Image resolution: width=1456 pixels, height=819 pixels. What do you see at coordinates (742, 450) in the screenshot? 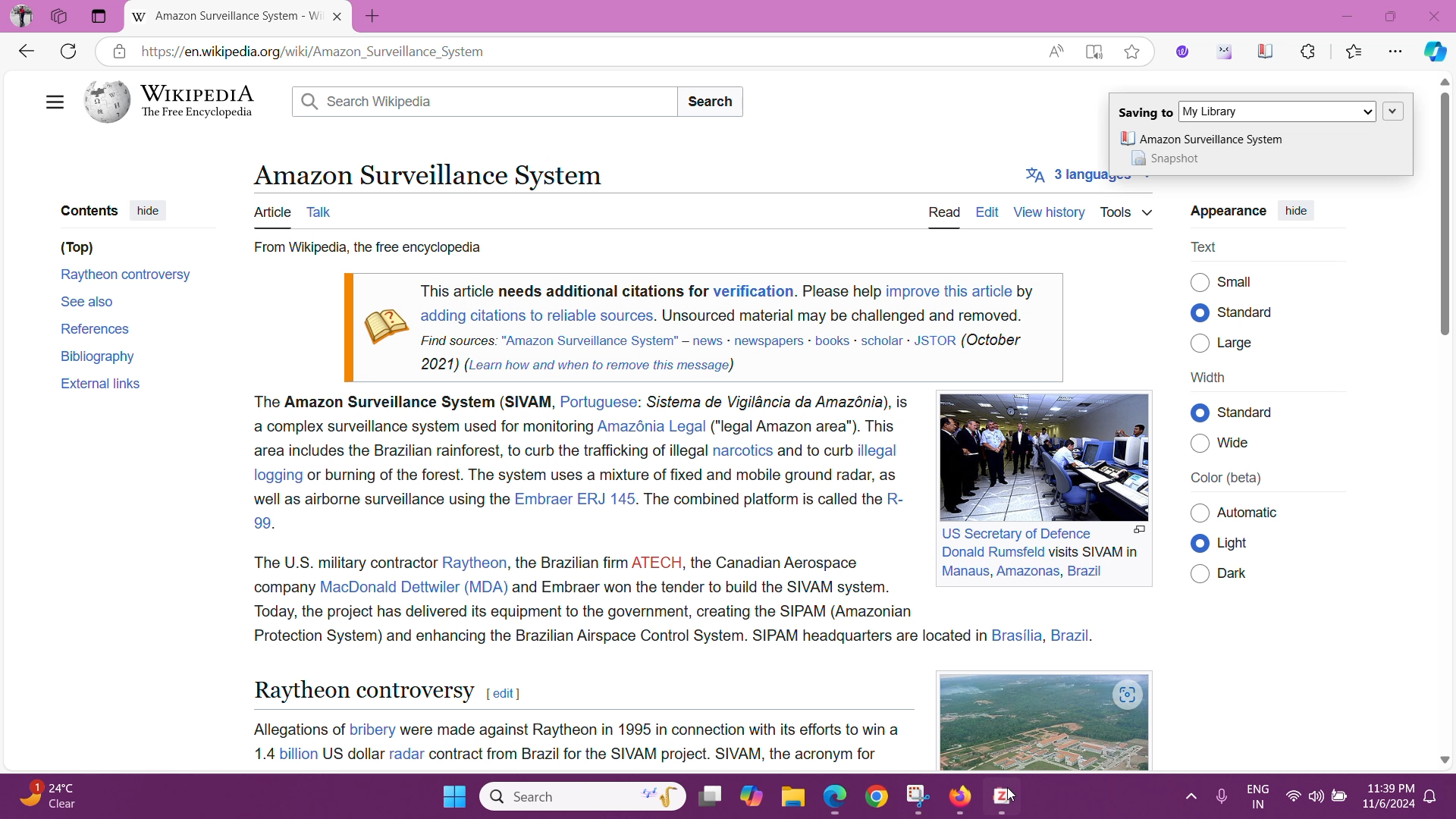
I see `narcotics` at bounding box center [742, 450].